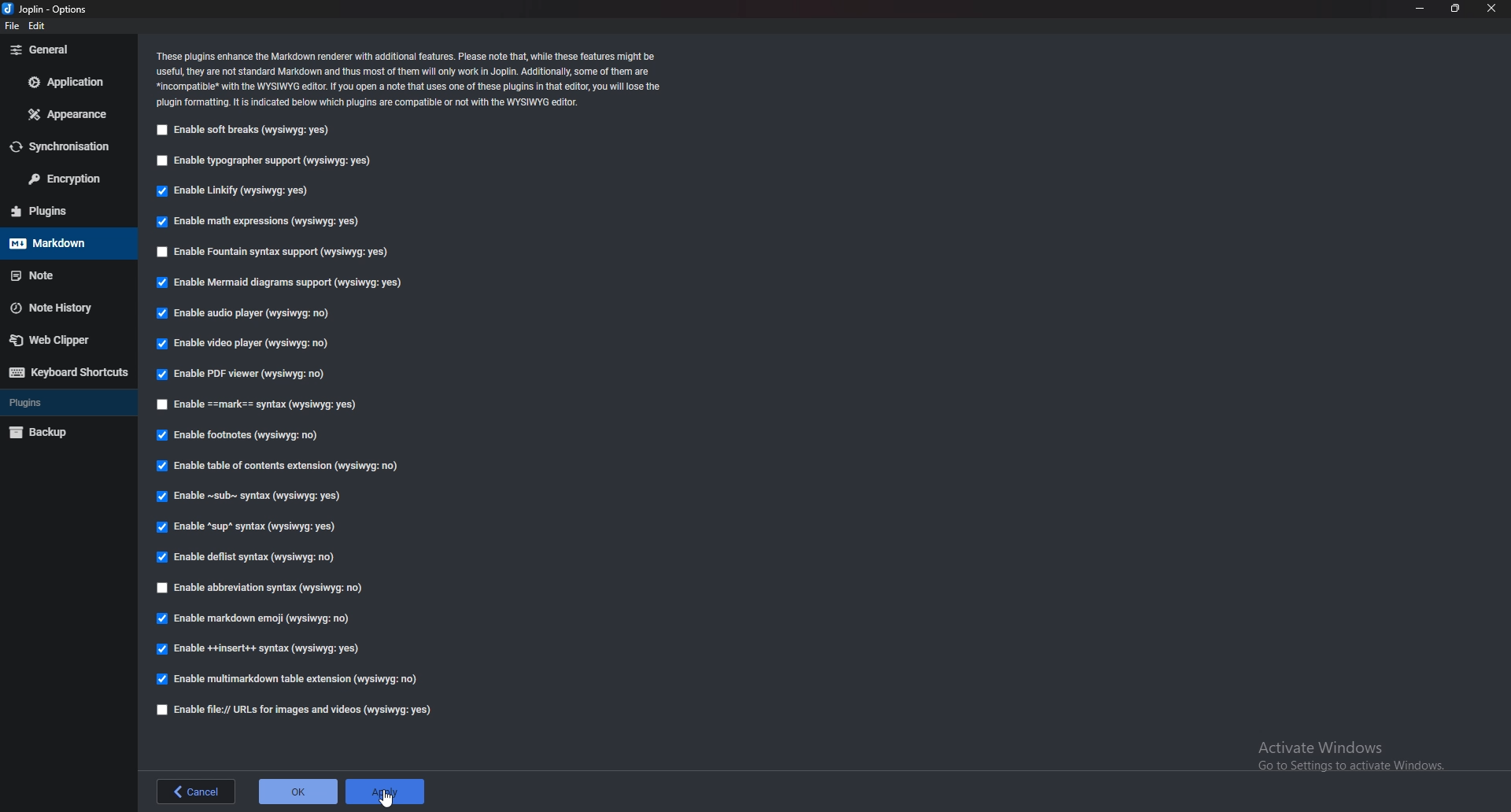 The height and width of the screenshot is (812, 1511). What do you see at coordinates (1454, 8) in the screenshot?
I see `Resize` at bounding box center [1454, 8].